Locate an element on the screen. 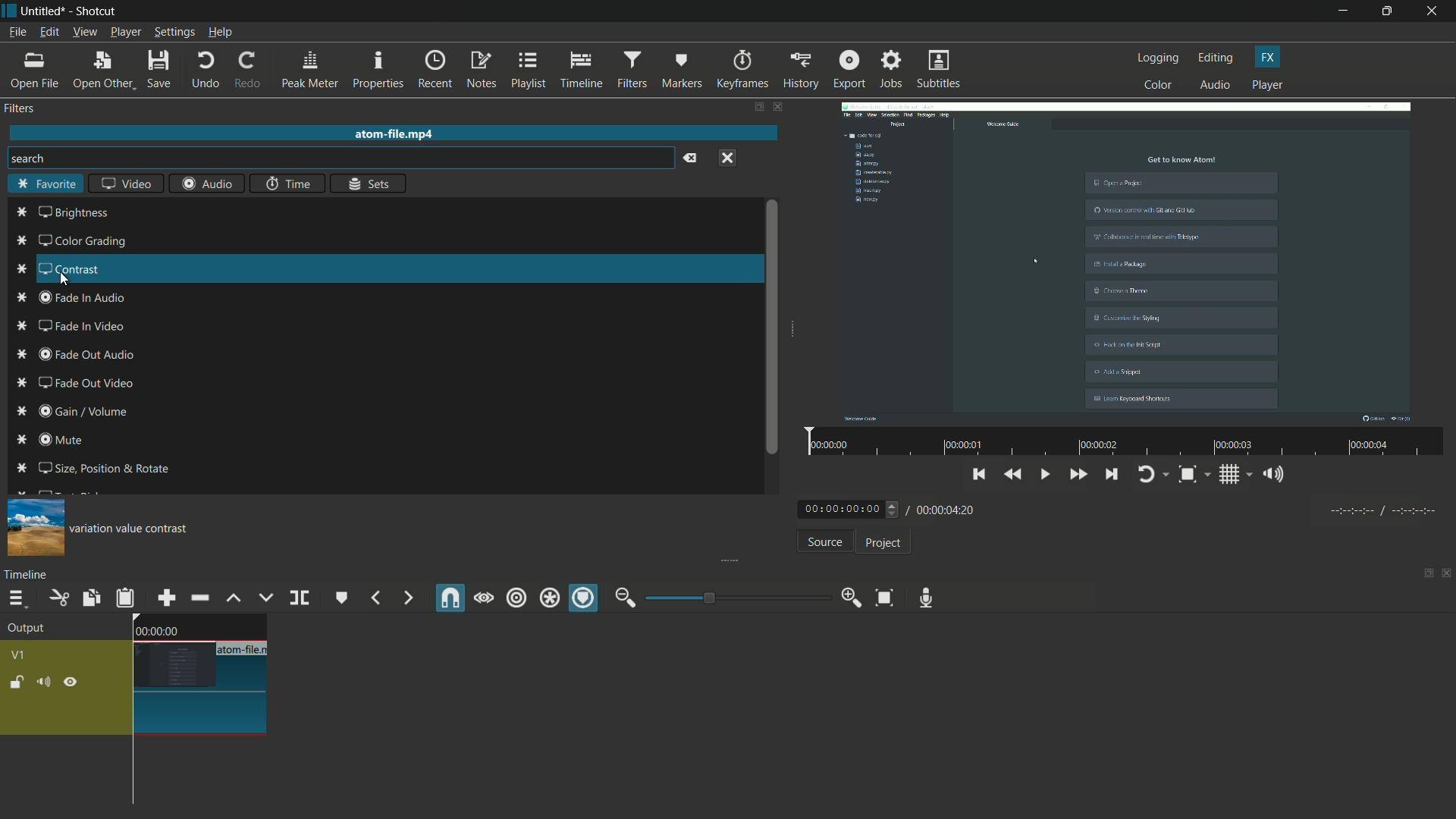 The width and height of the screenshot is (1456, 819). zoom out is located at coordinates (625, 598).